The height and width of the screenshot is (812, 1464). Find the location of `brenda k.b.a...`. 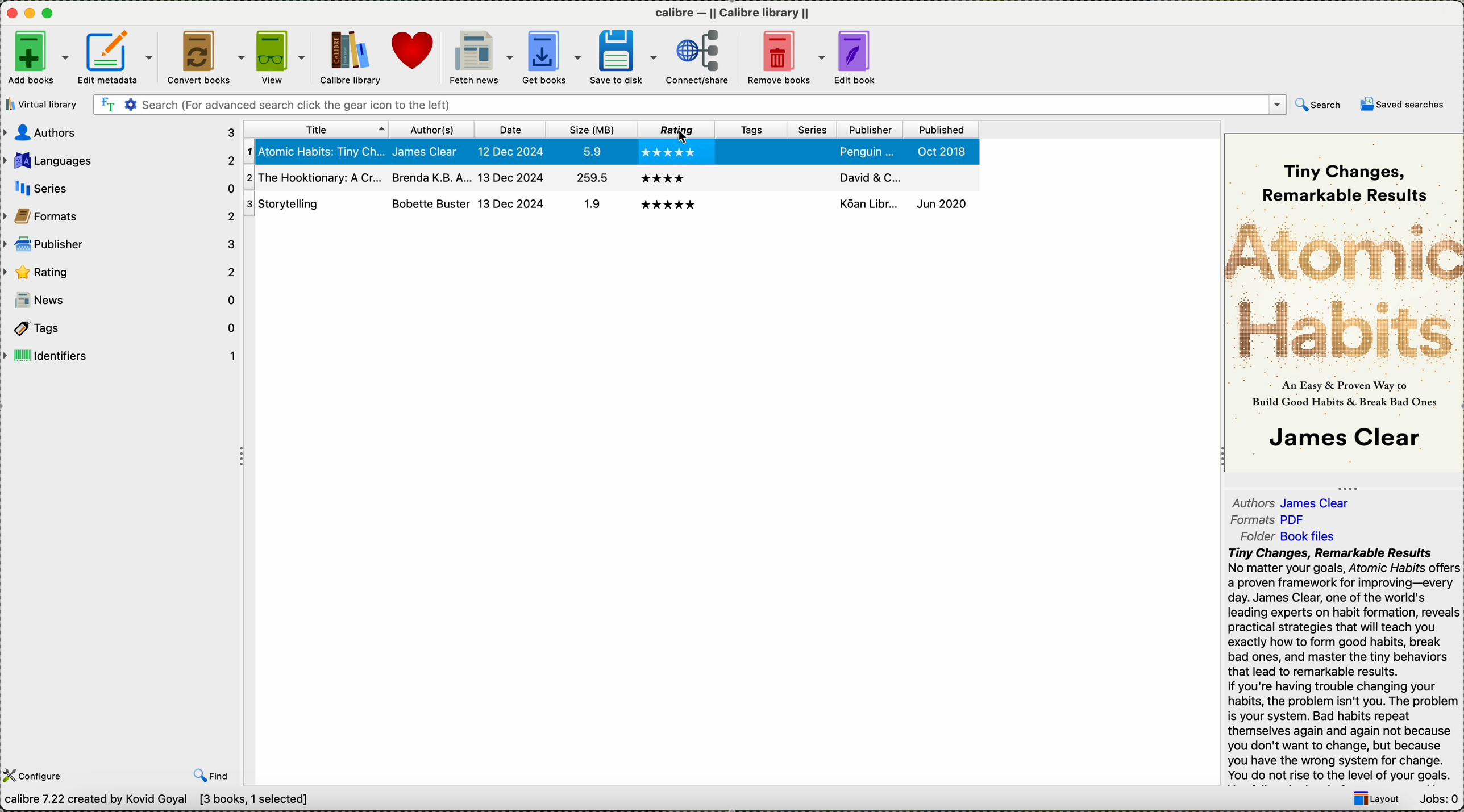

brenda k.b.a... is located at coordinates (430, 176).